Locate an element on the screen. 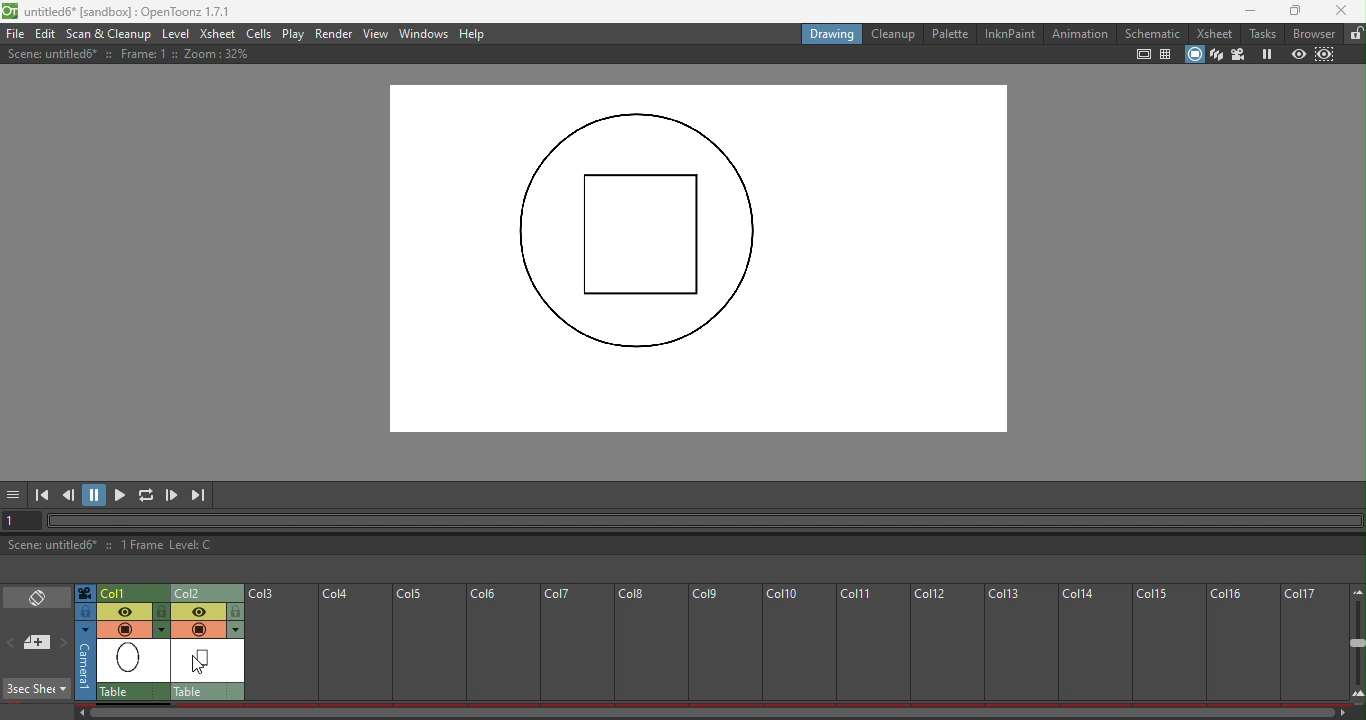 The height and width of the screenshot is (720, 1366). Camera stand visibility toggle is located at coordinates (124, 629).